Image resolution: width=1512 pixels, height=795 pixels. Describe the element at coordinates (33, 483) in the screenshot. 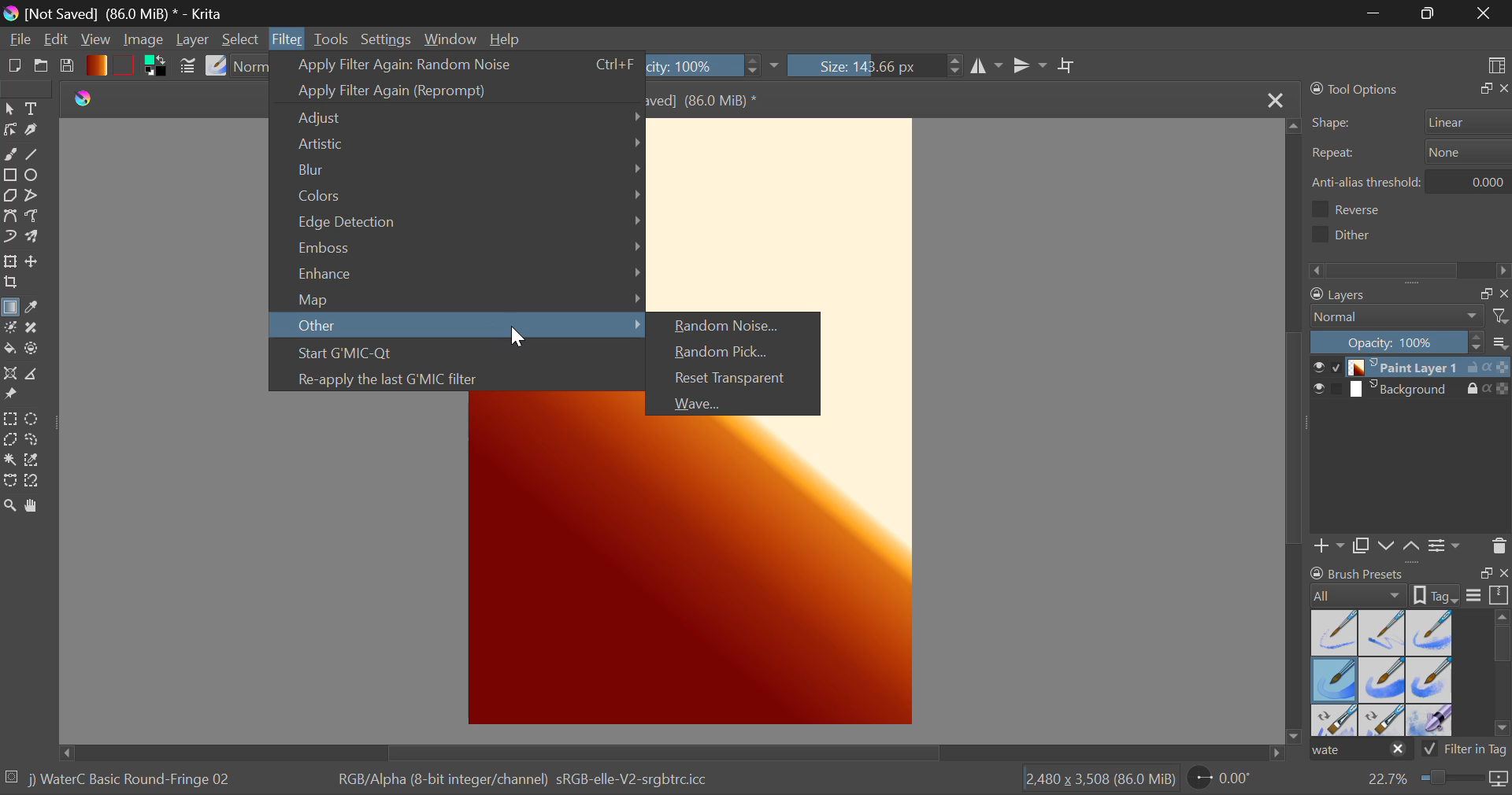

I see `Magnetic Selection` at that location.